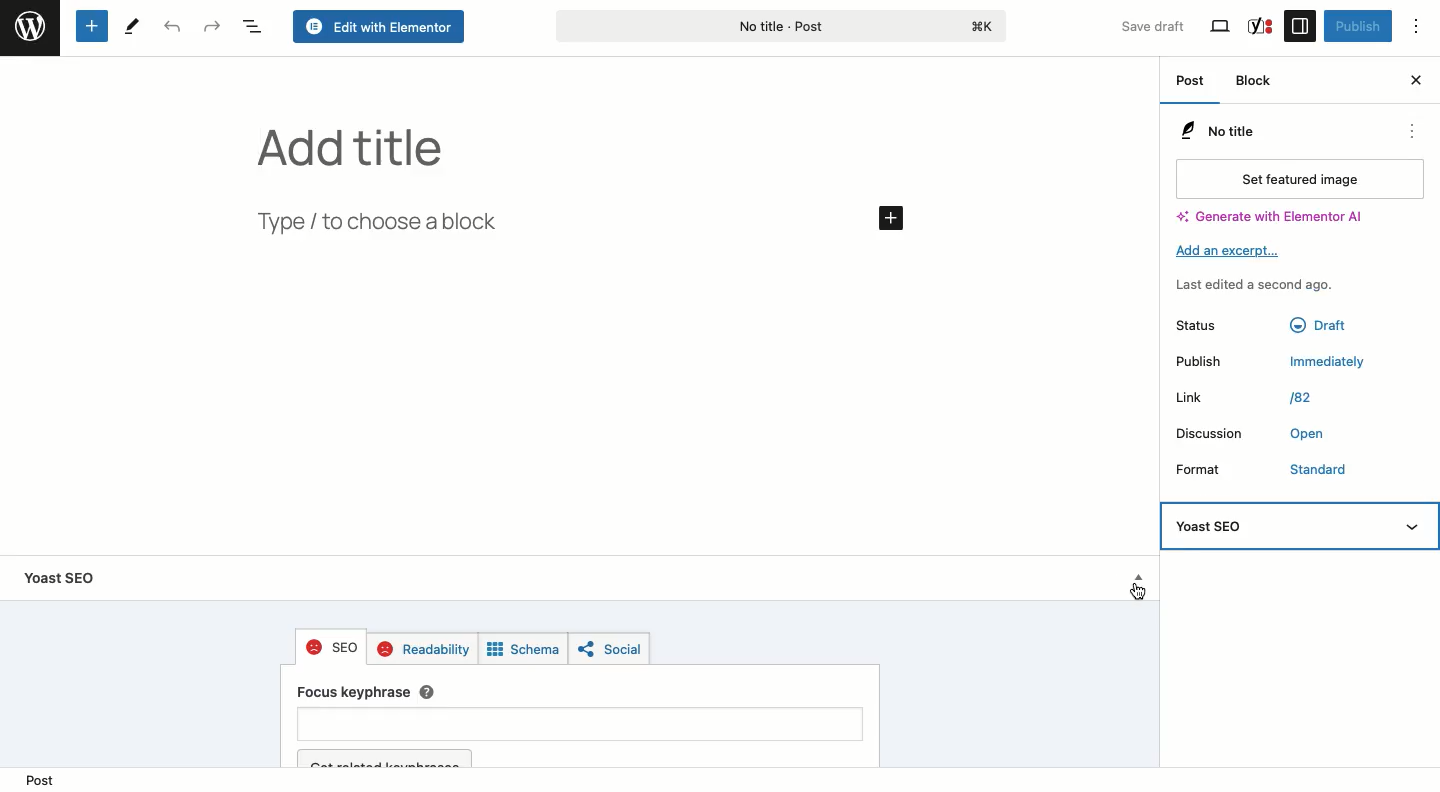  What do you see at coordinates (1204, 470) in the screenshot?
I see `Format` at bounding box center [1204, 470].